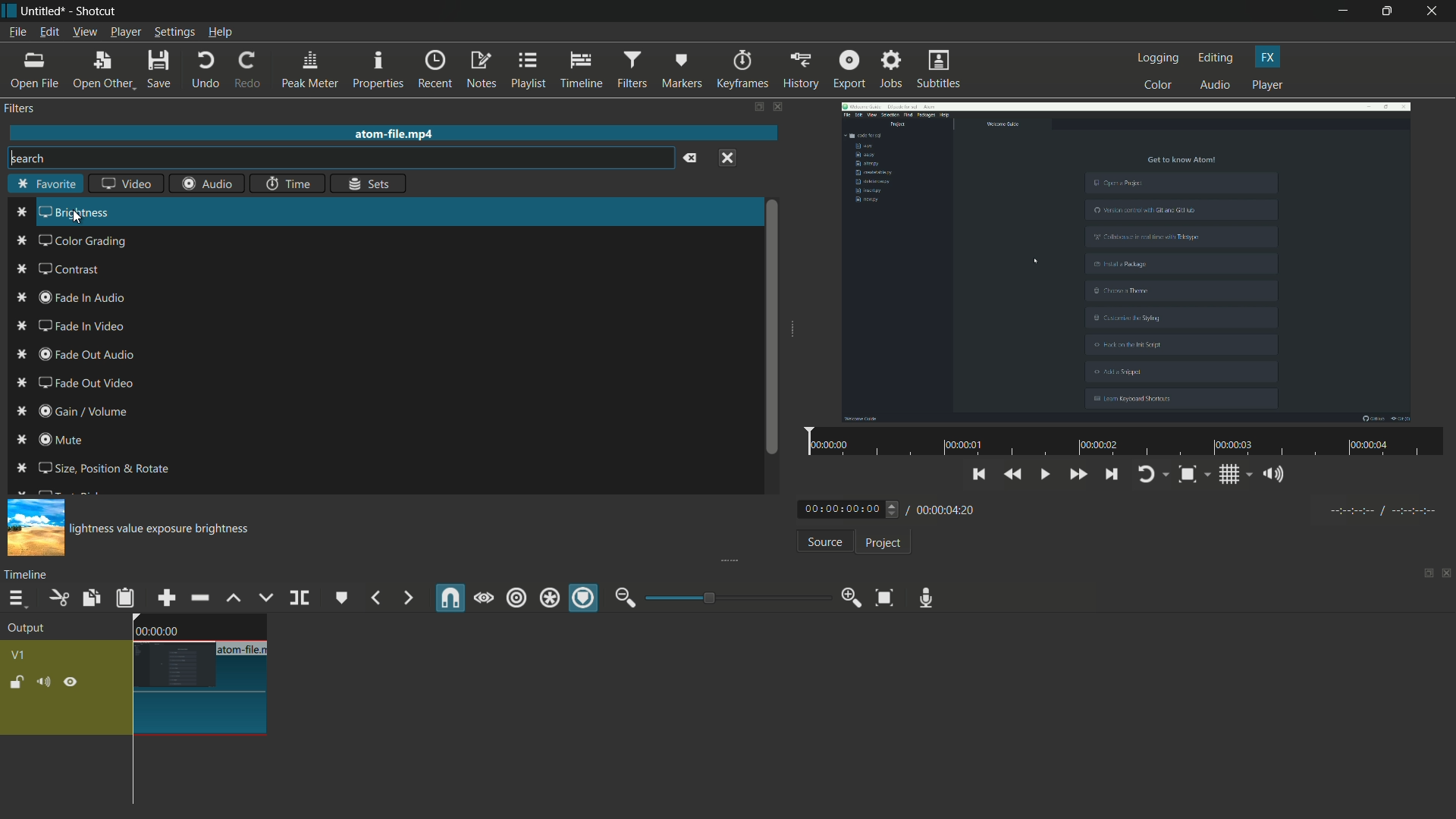 This screenshot has width=1456, height=819. Describe the element at coordinates (548, 600) in the screenshot. I see `ripple all tracks` at that location.